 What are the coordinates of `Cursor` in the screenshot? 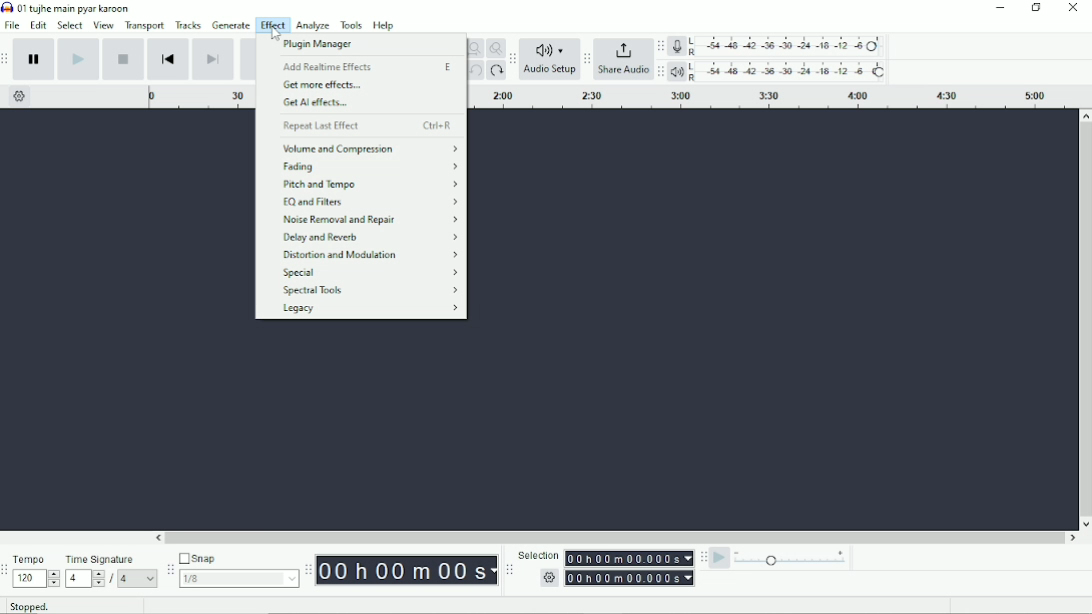 It's located at (271, 32).